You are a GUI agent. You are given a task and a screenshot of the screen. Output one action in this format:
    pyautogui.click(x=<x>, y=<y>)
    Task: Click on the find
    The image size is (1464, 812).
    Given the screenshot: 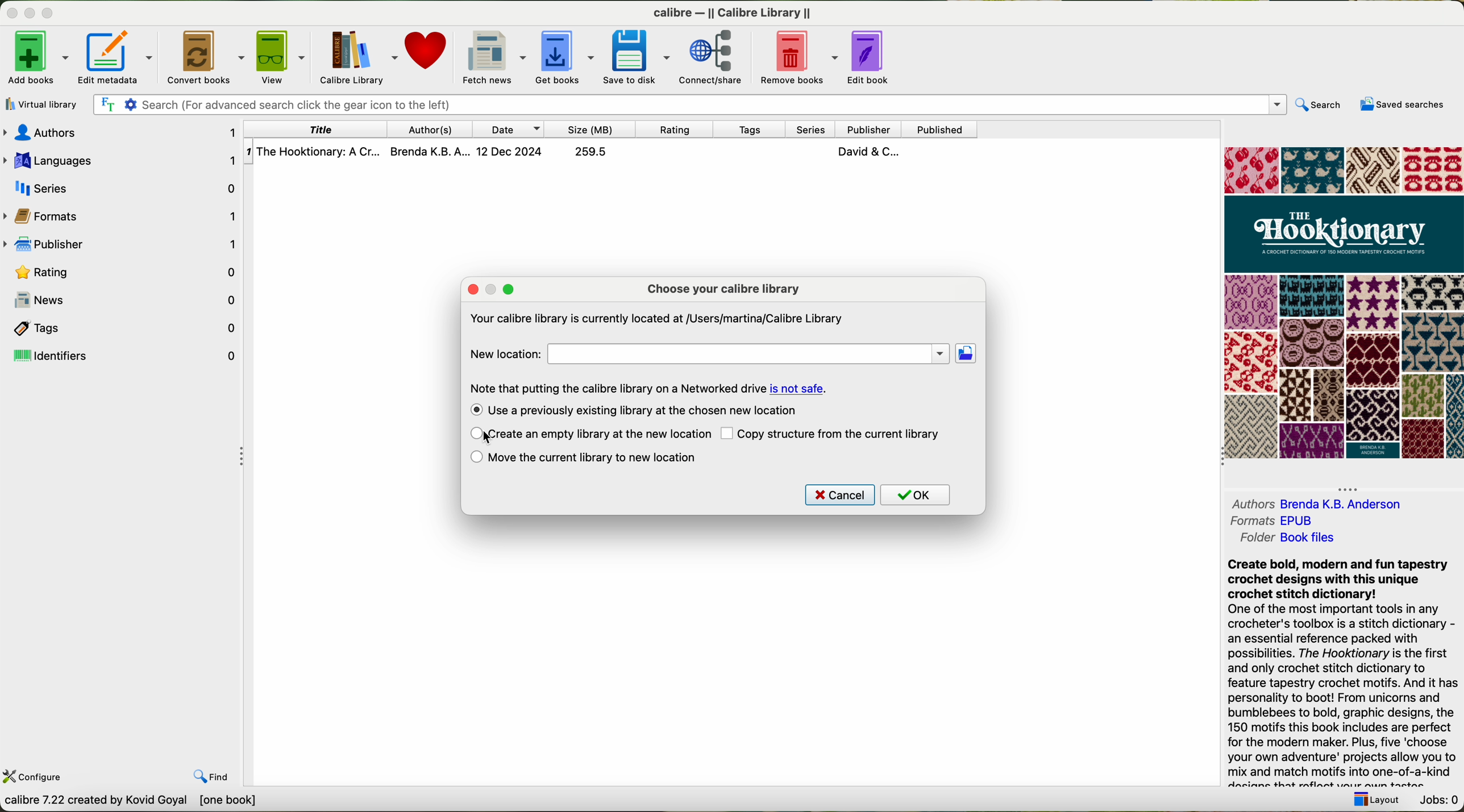 What is the action you would take?
    pyautogui.click(x=210, y=776)
    